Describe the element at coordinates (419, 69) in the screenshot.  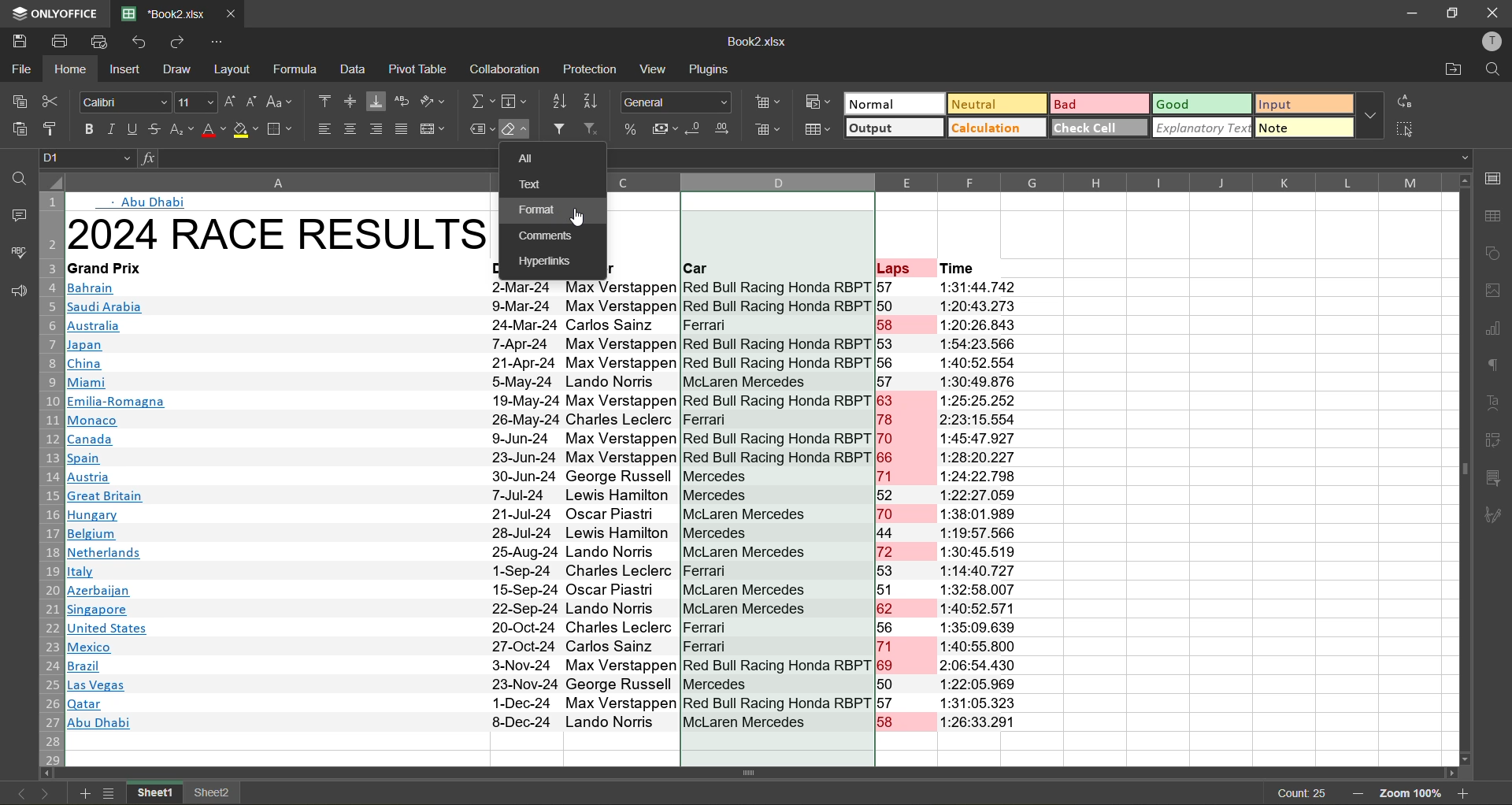
I see `pivot table` at that location.